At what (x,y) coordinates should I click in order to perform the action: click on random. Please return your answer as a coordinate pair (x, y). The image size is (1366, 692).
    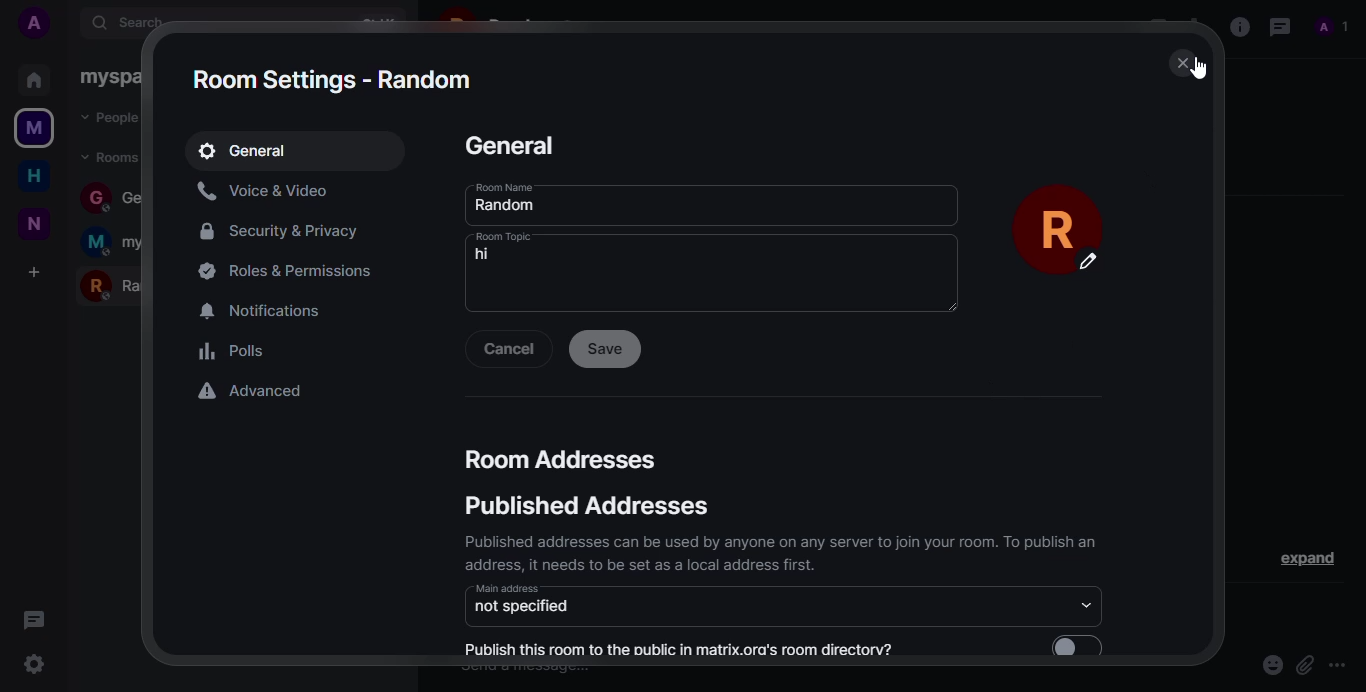
    Looking at the image, I should click on (507, 206).